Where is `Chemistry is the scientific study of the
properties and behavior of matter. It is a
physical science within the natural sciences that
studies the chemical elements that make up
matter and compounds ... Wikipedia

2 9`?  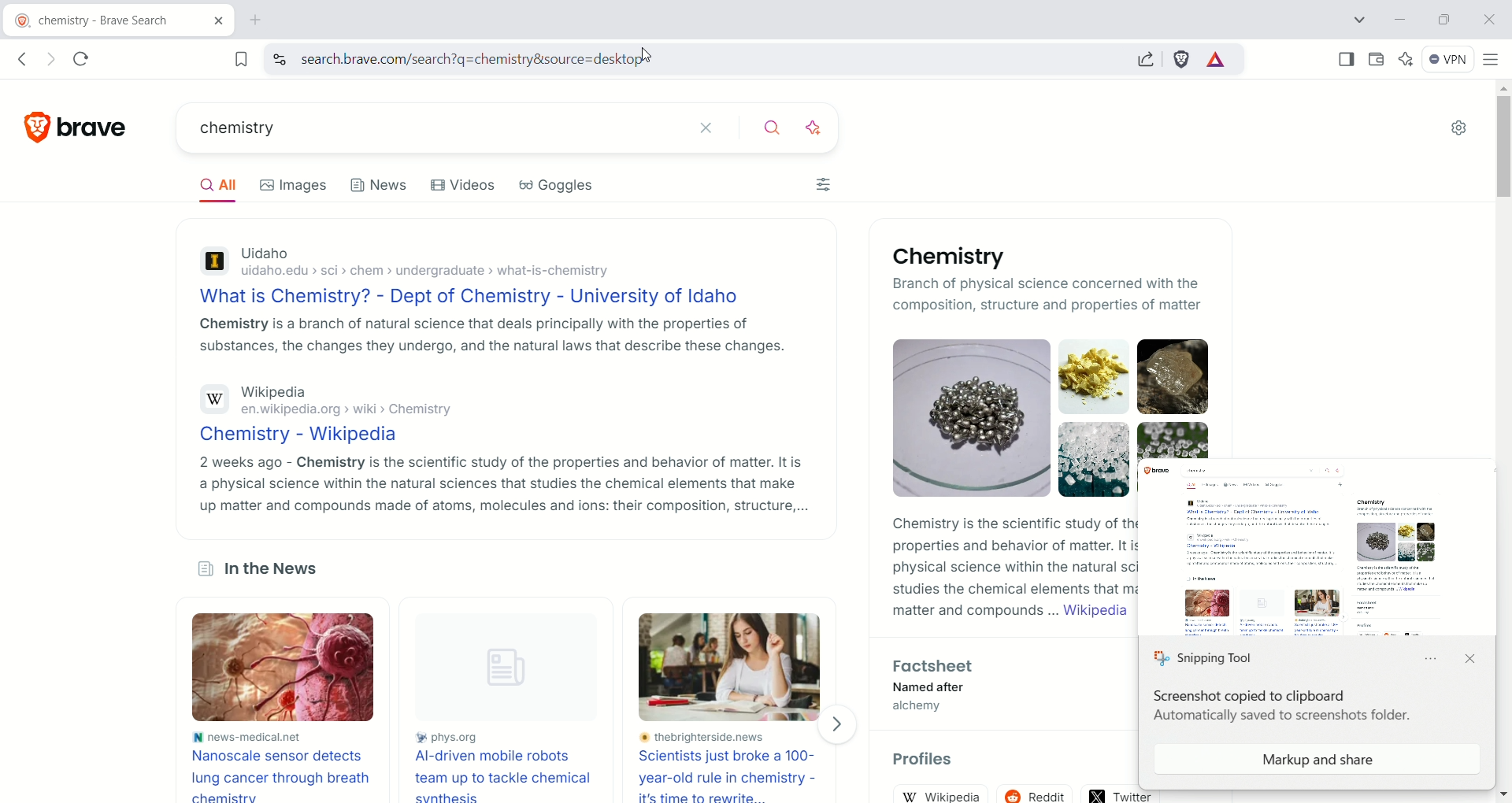 Chemistry is the scientific study of the
properties and behavior of matter. It is a
physical science within the natural sciences that
studies the chemical elements that make up
matter and compounds ... Wikipedia

2 9 is located at coordinates (1010, 572).